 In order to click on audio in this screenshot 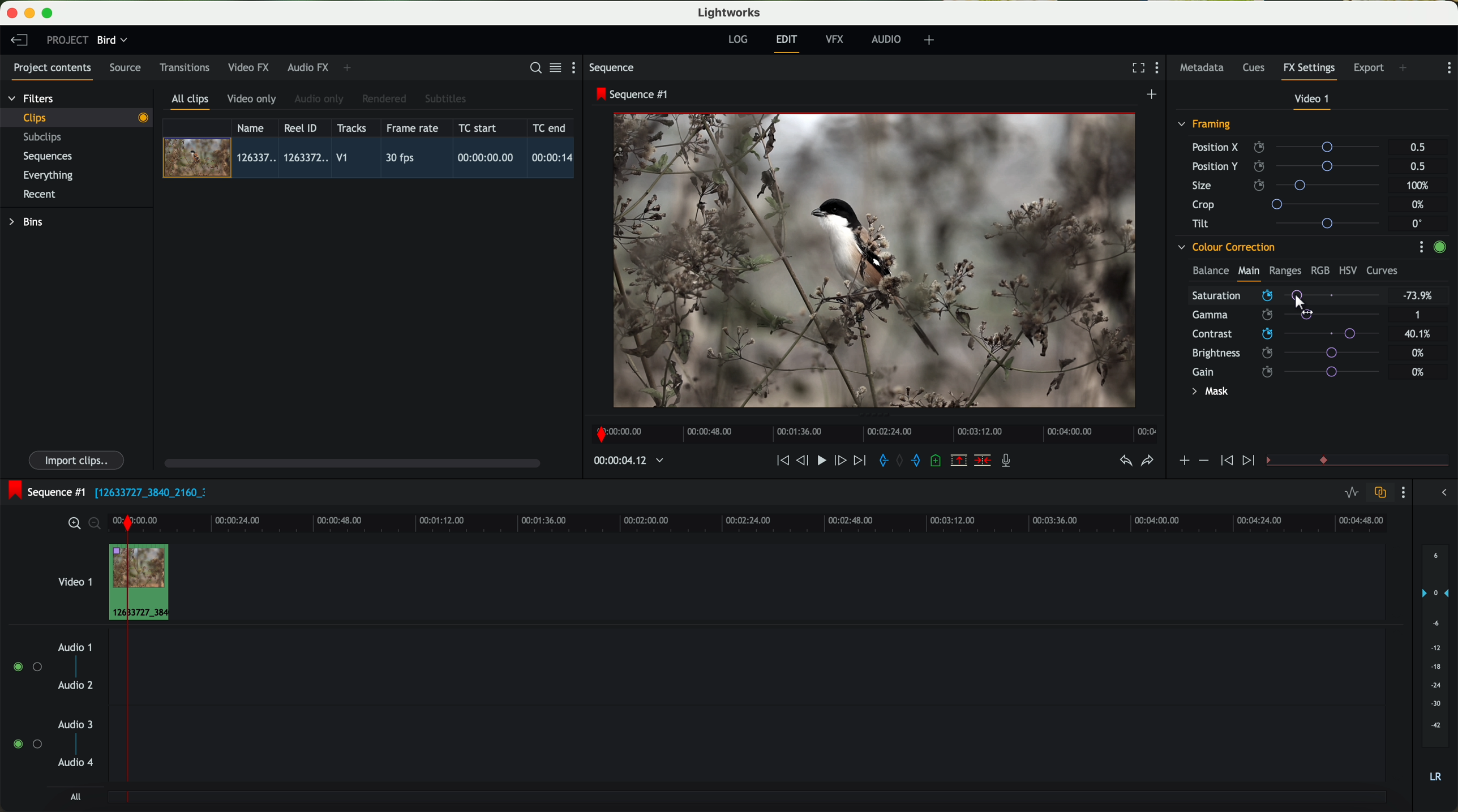, I will do `click(886, 39)`.